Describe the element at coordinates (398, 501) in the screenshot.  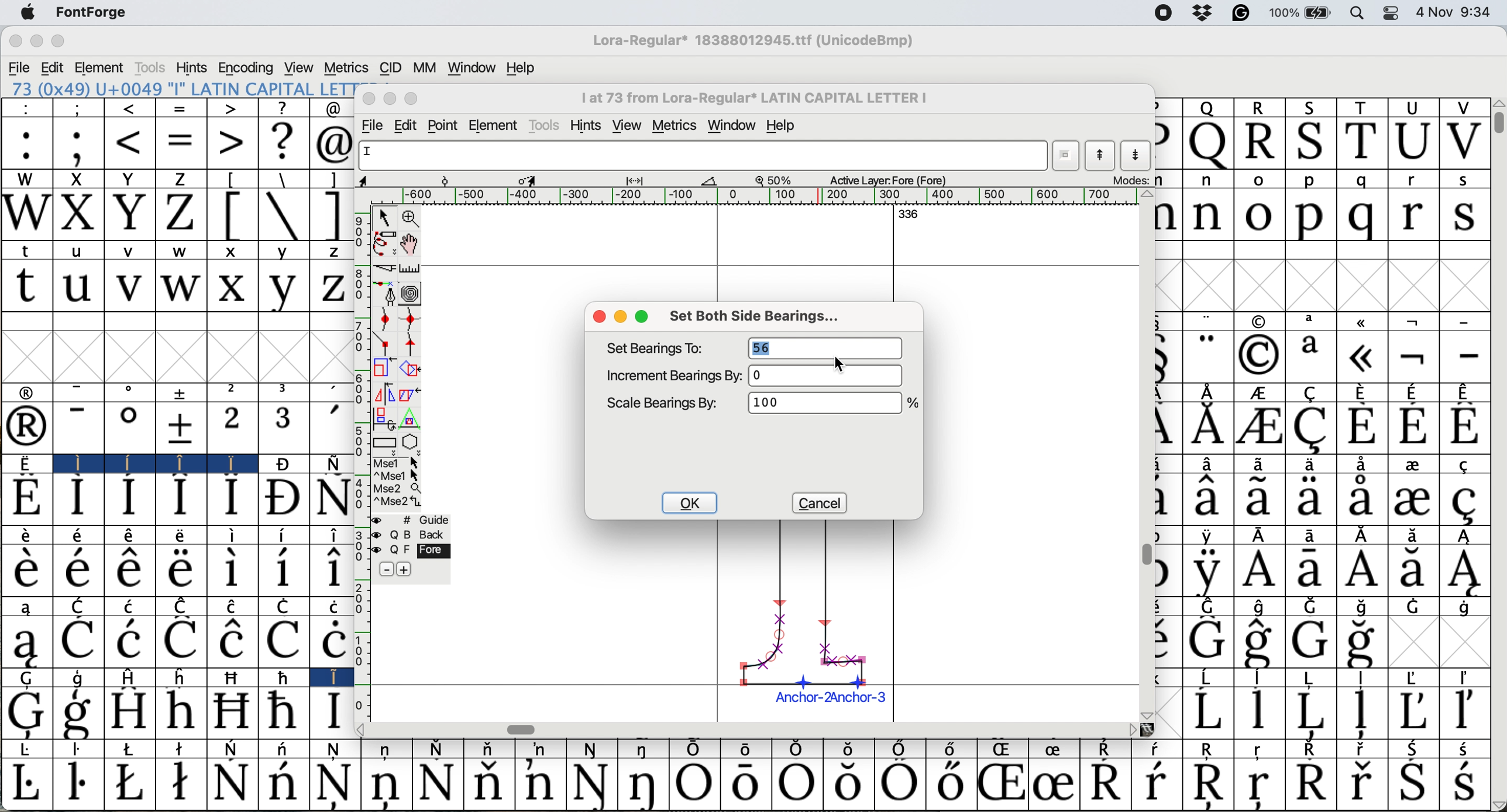
I see `Mse 2^` at that location.